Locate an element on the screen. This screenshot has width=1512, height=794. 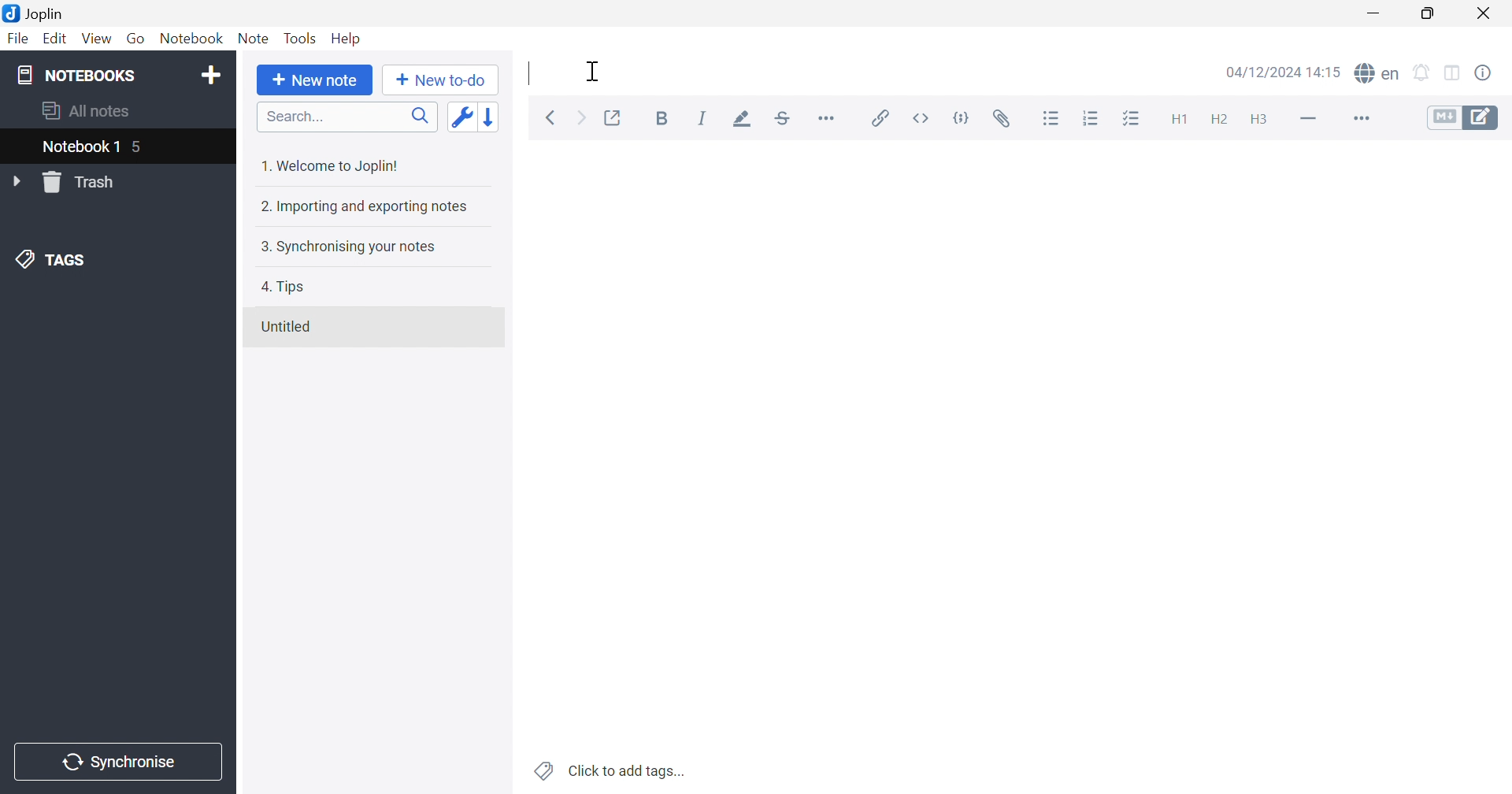
Back is located at coordinates (550, 119).